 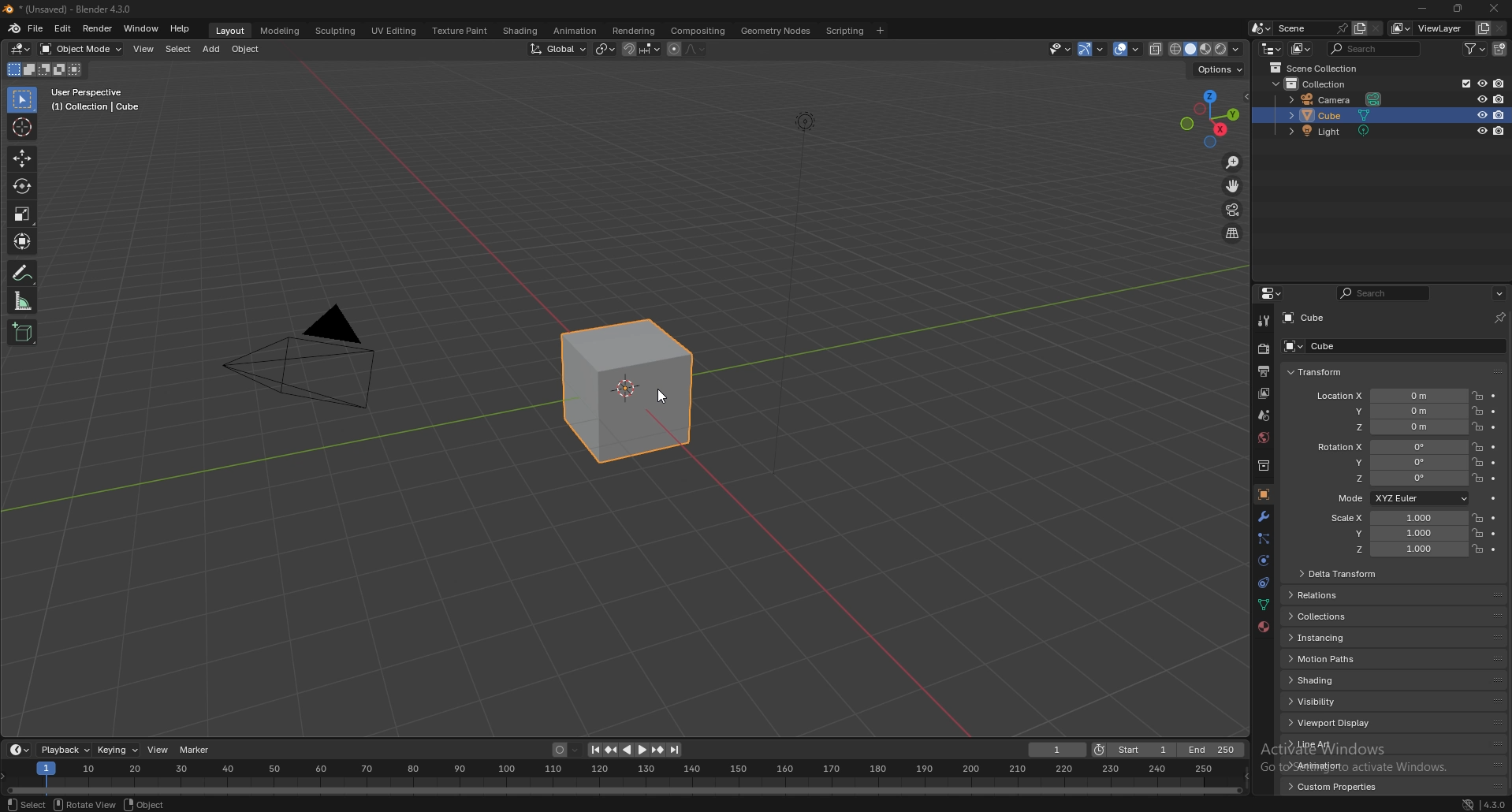 I want to click on proportional editing objcets, so click(x=687, y=49).